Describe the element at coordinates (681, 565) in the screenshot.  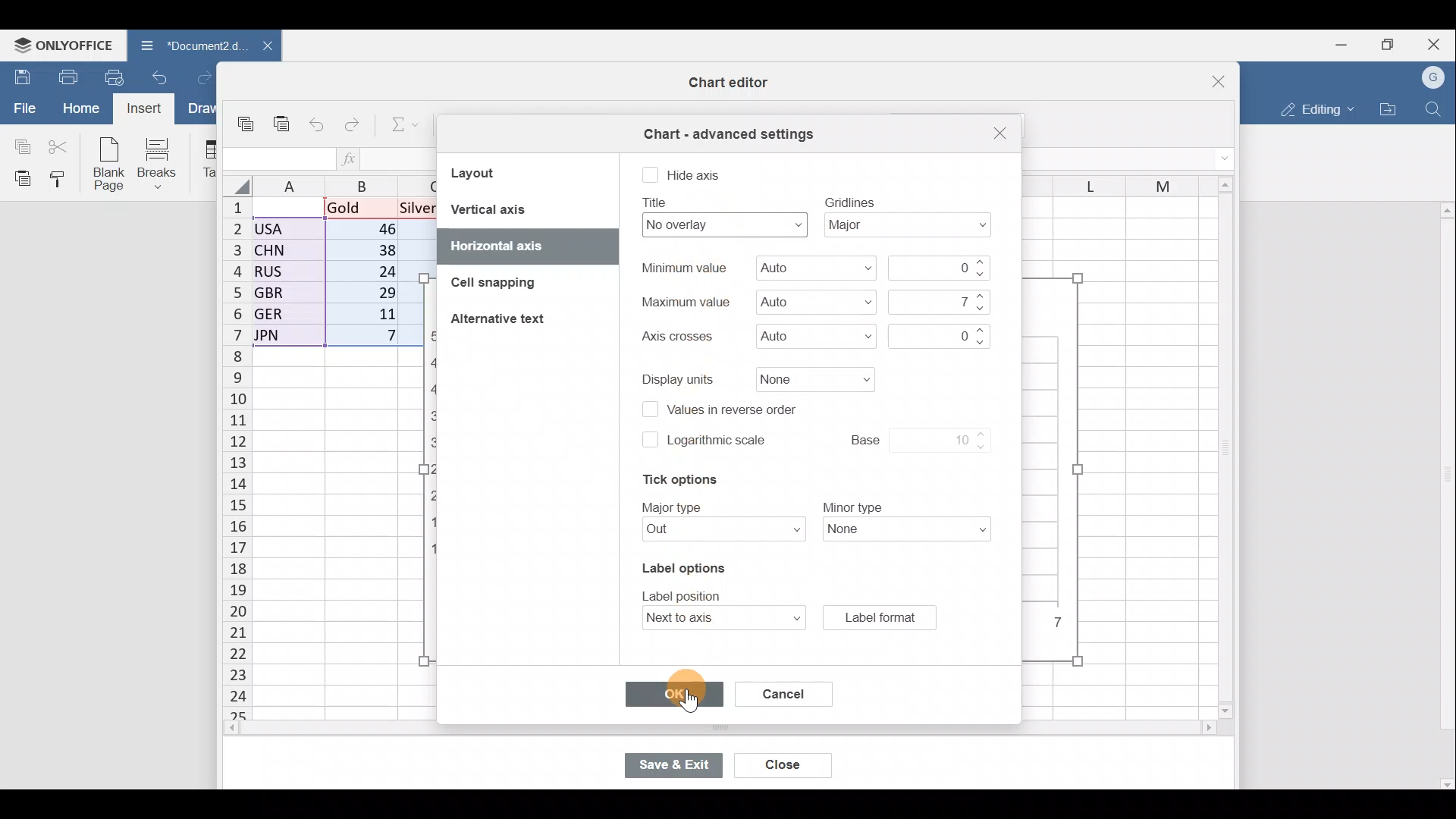
I see `Label options` at that location.